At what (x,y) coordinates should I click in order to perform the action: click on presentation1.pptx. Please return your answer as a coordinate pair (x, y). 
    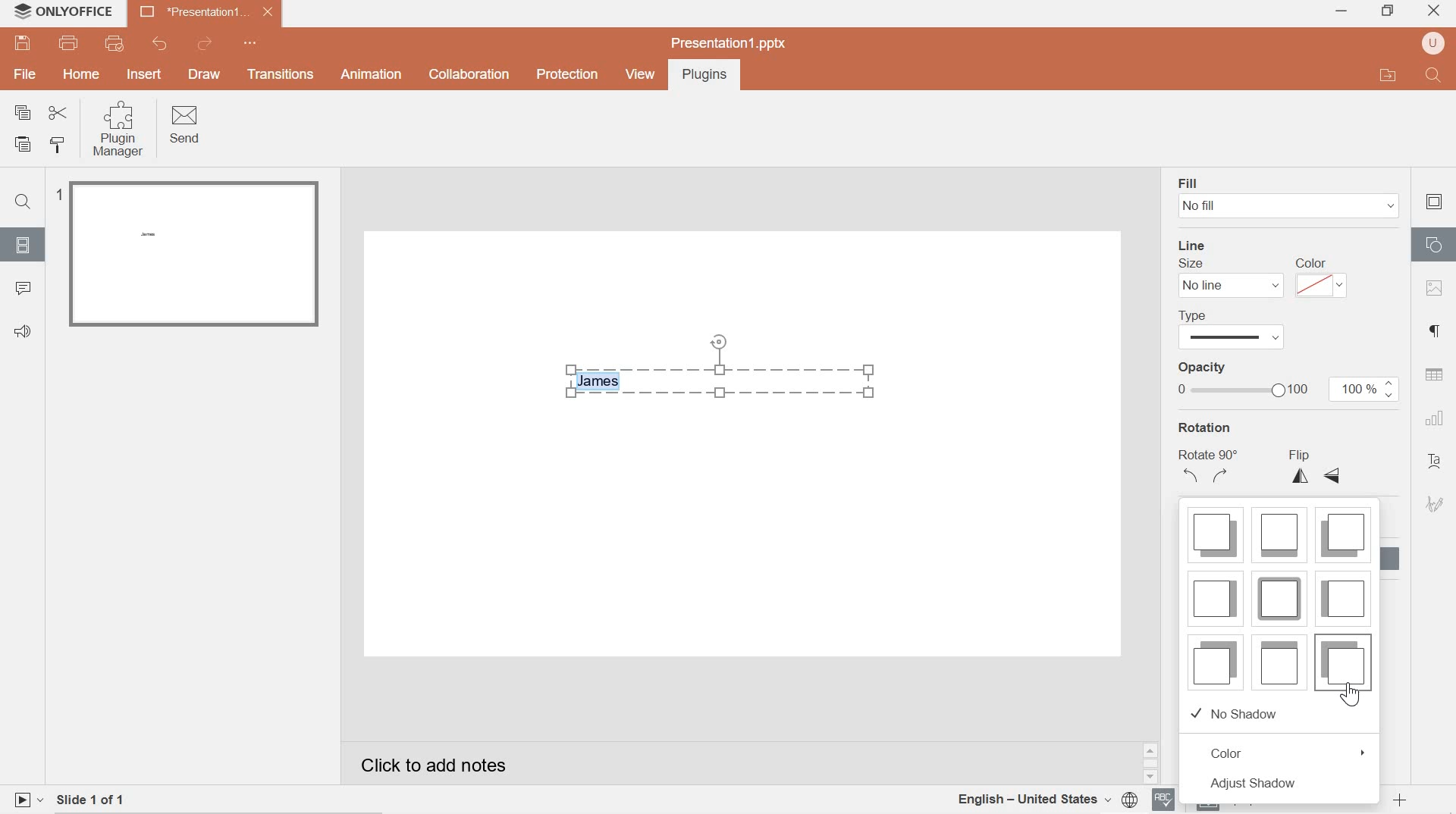
    Looking at the image, I should click on (728, 42).